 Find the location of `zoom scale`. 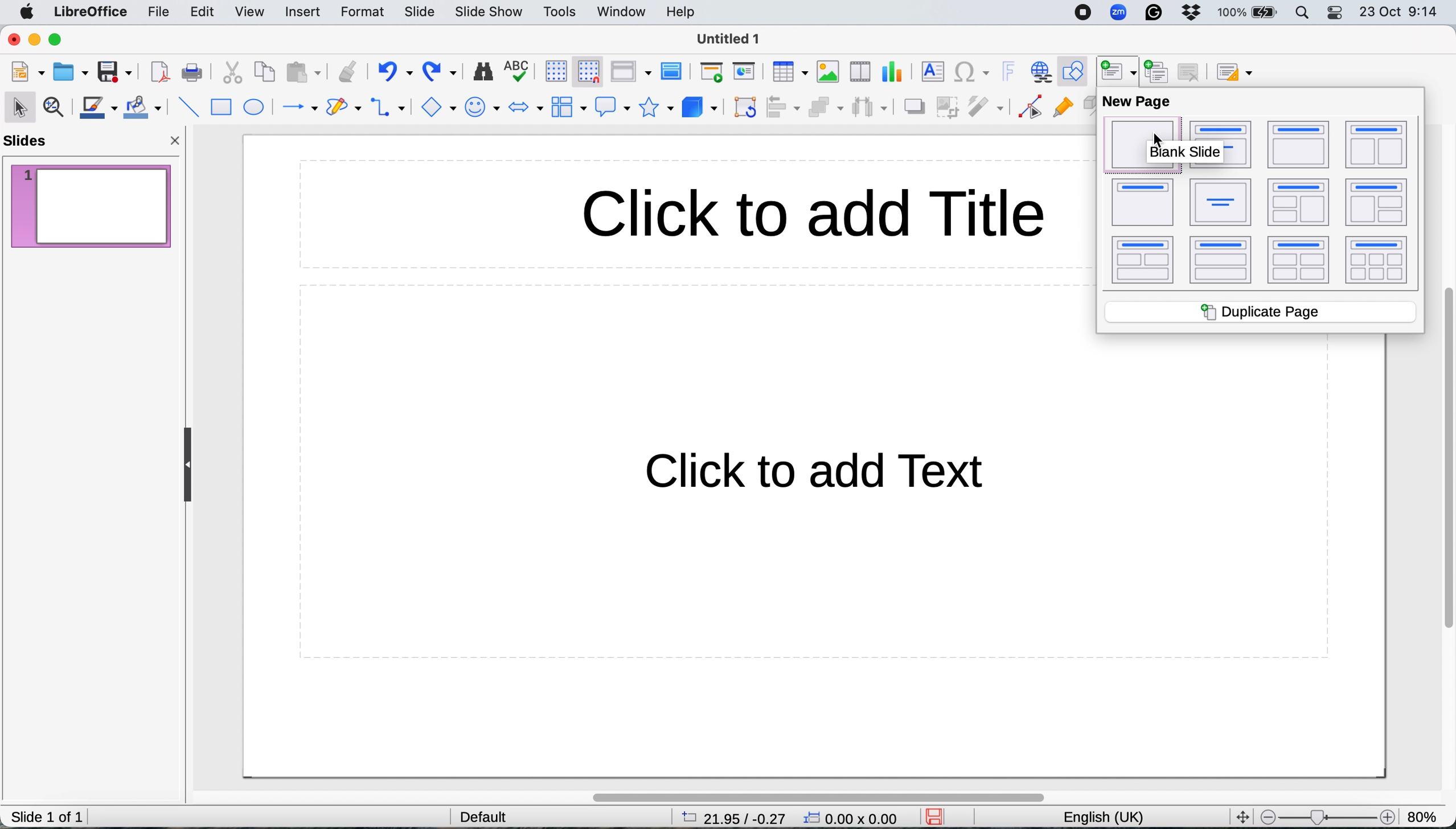

zoom scale is located at coordinates (1325, 814).